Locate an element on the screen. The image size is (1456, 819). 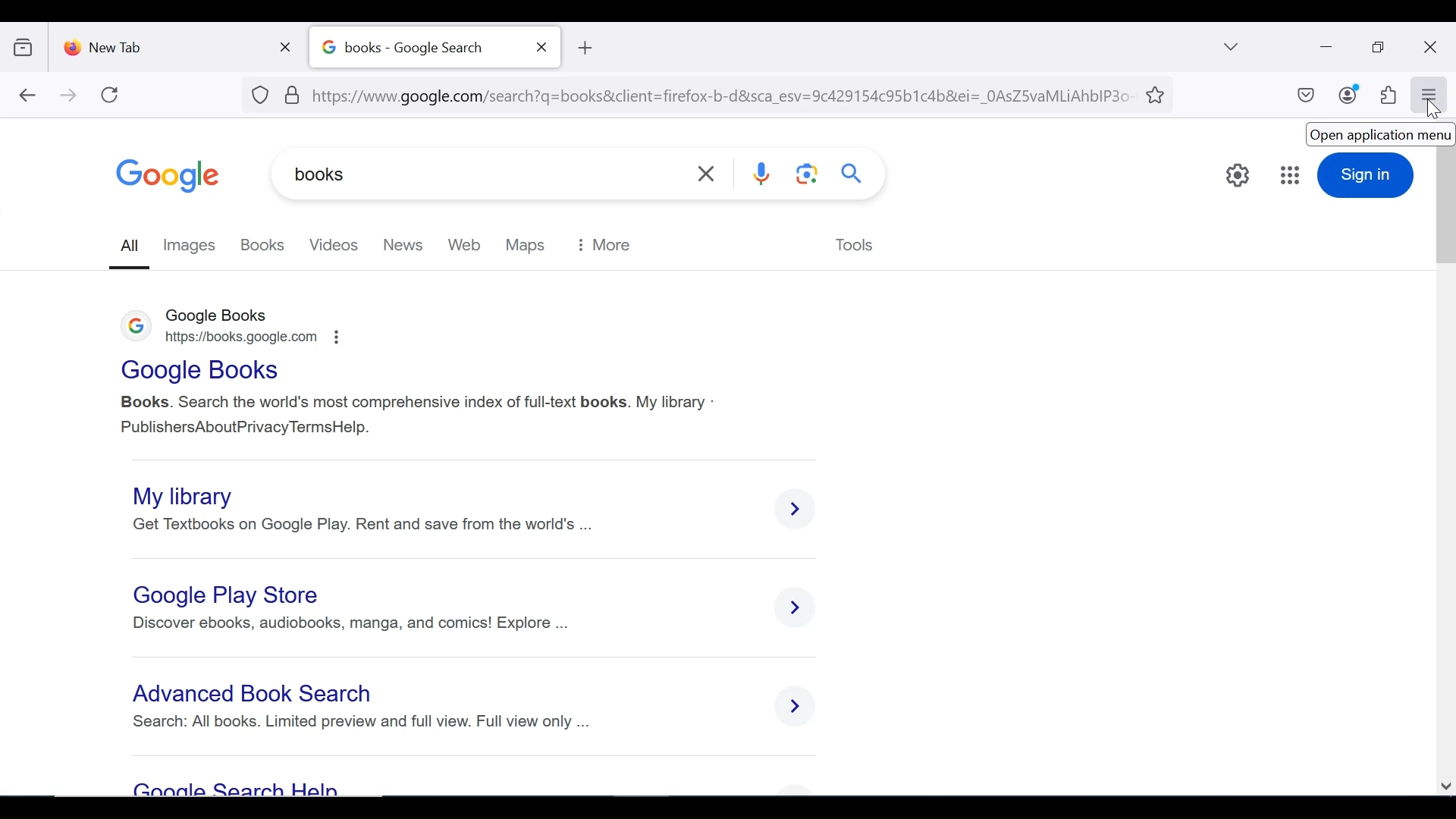
sign in is located at coordinates (1367, 174).